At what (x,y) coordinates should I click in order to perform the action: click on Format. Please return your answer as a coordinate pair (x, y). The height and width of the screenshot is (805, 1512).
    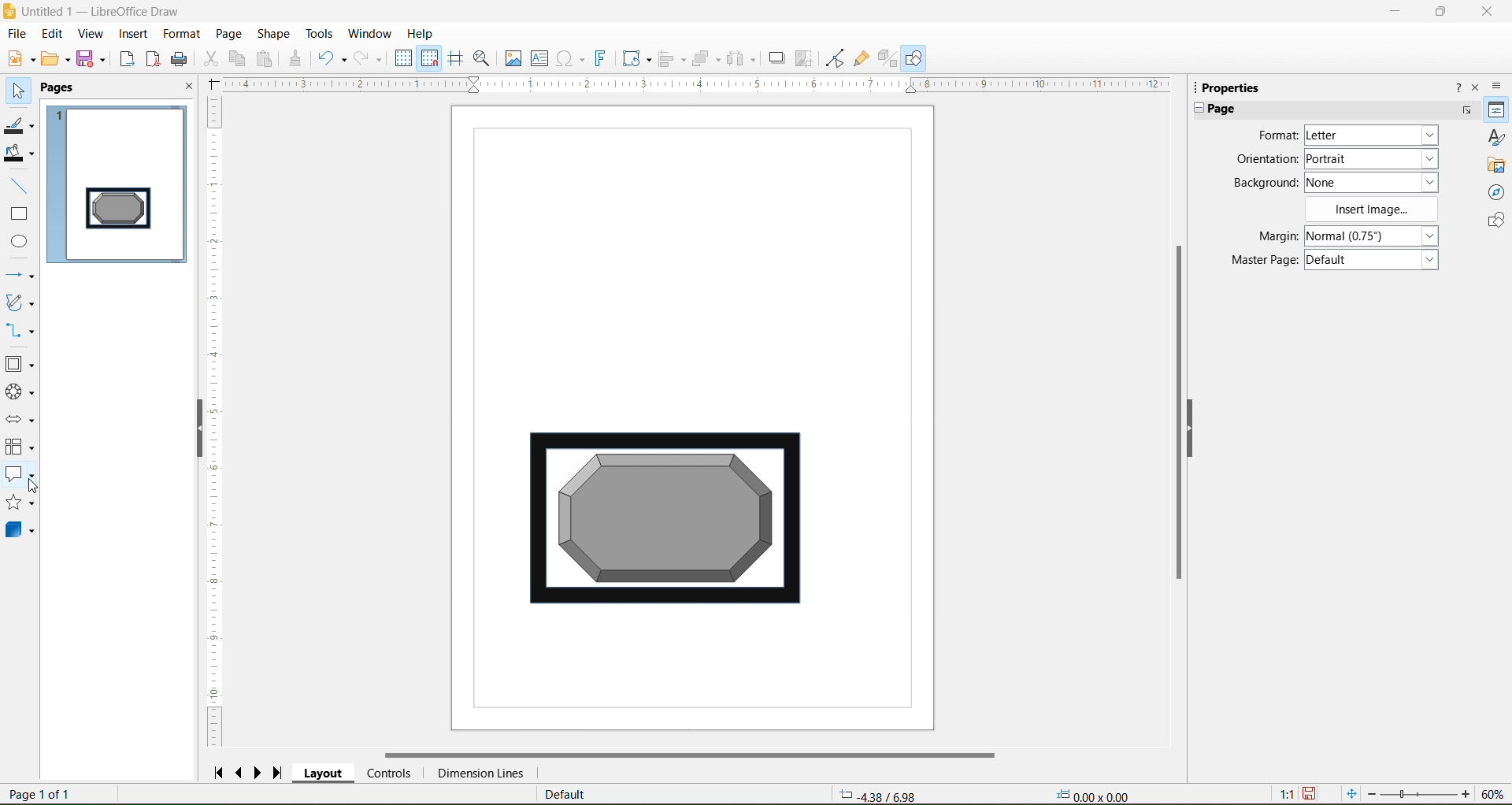
    Looking at the image, I should click on (180, 34).